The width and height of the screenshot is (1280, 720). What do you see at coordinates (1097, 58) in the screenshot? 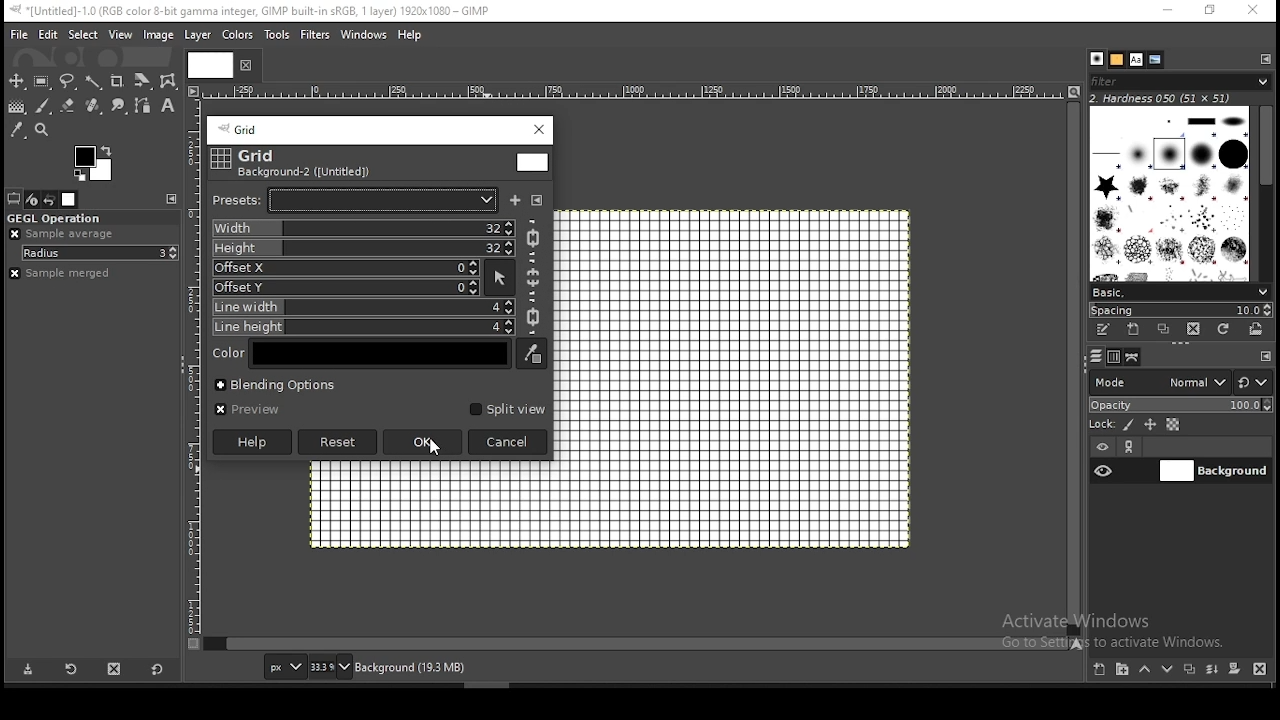
I see `brushes` at bounding box center [1097, 58].